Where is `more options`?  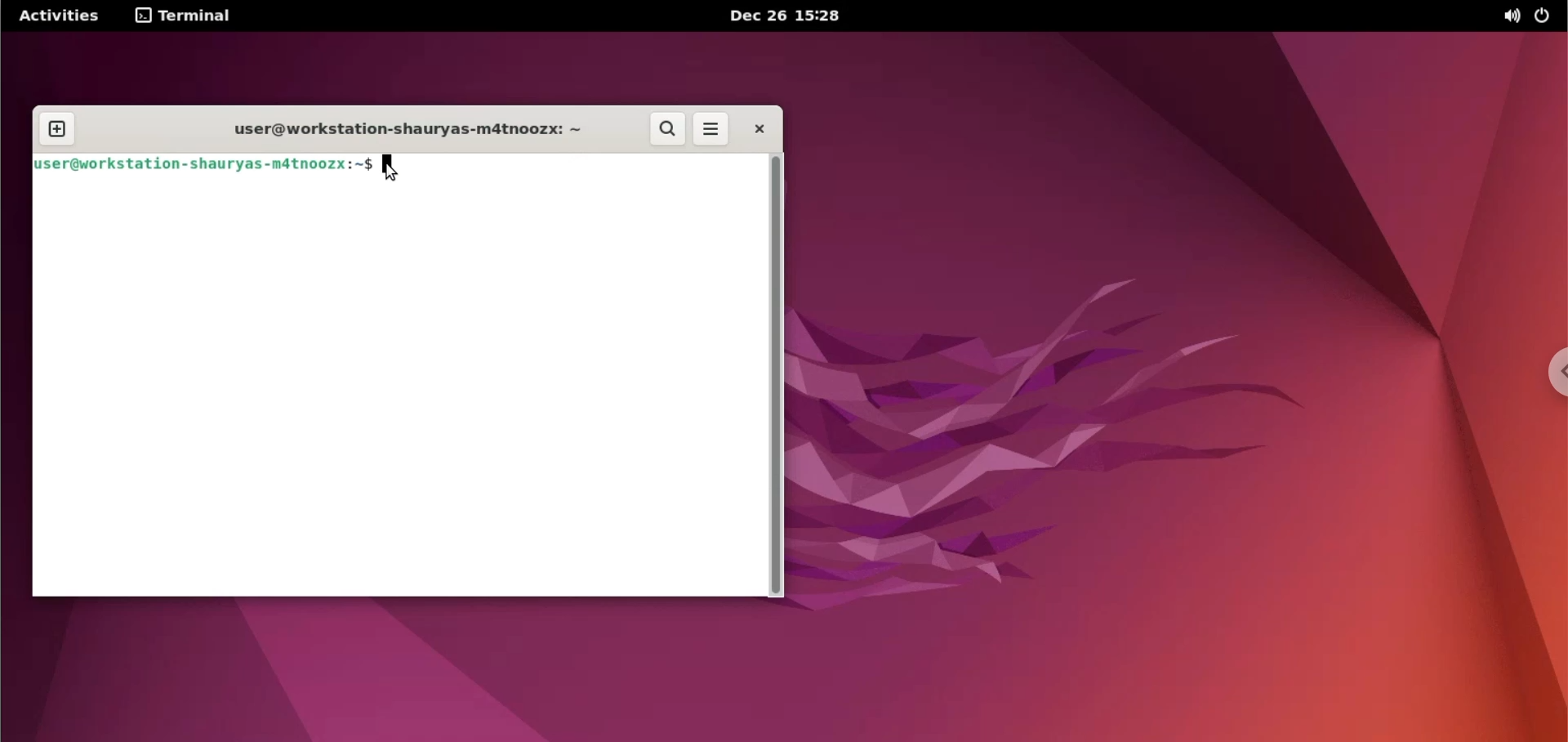 more options is located at coordinates (711, 131).